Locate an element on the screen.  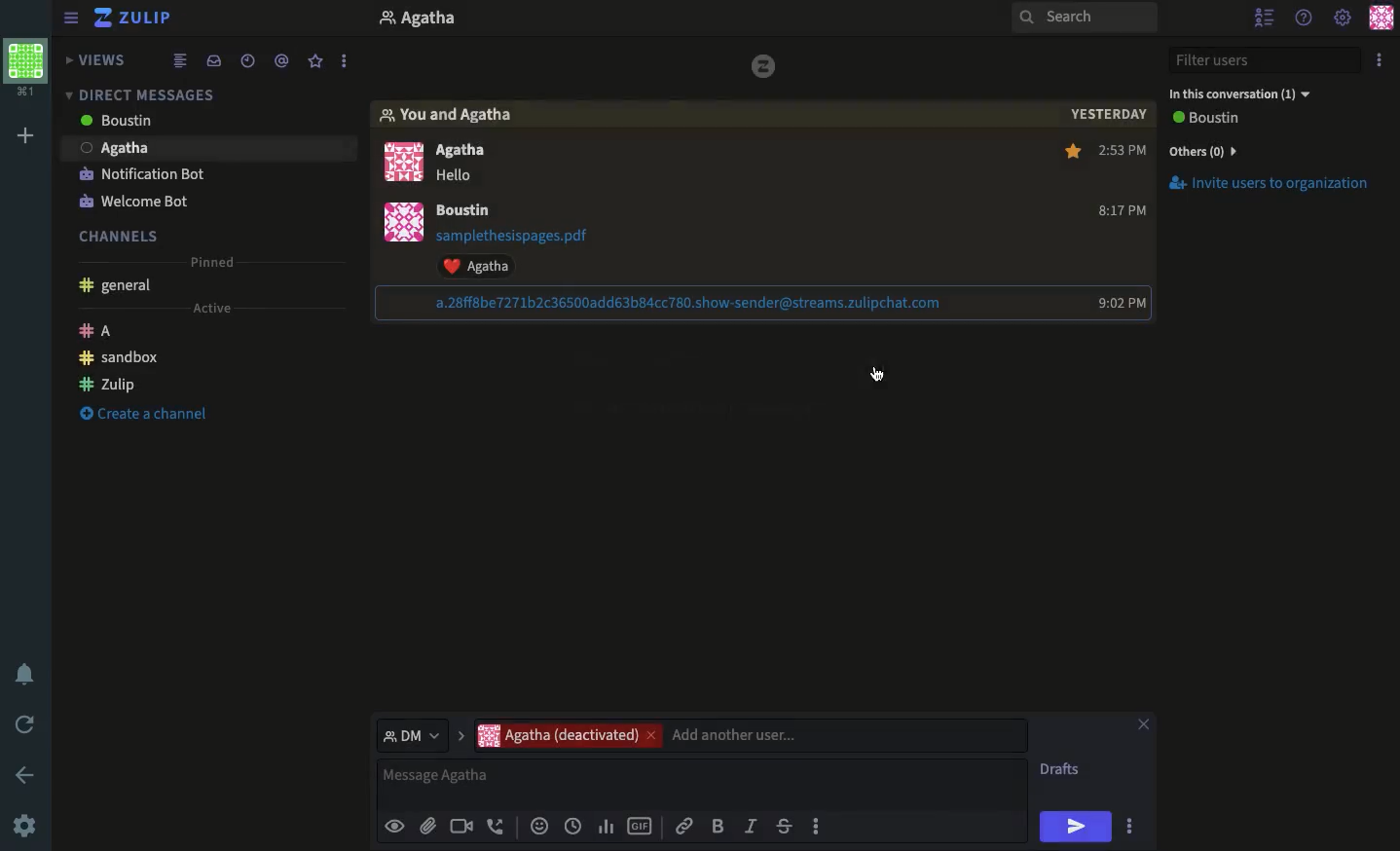
Users is located at coordinates (479, 152).